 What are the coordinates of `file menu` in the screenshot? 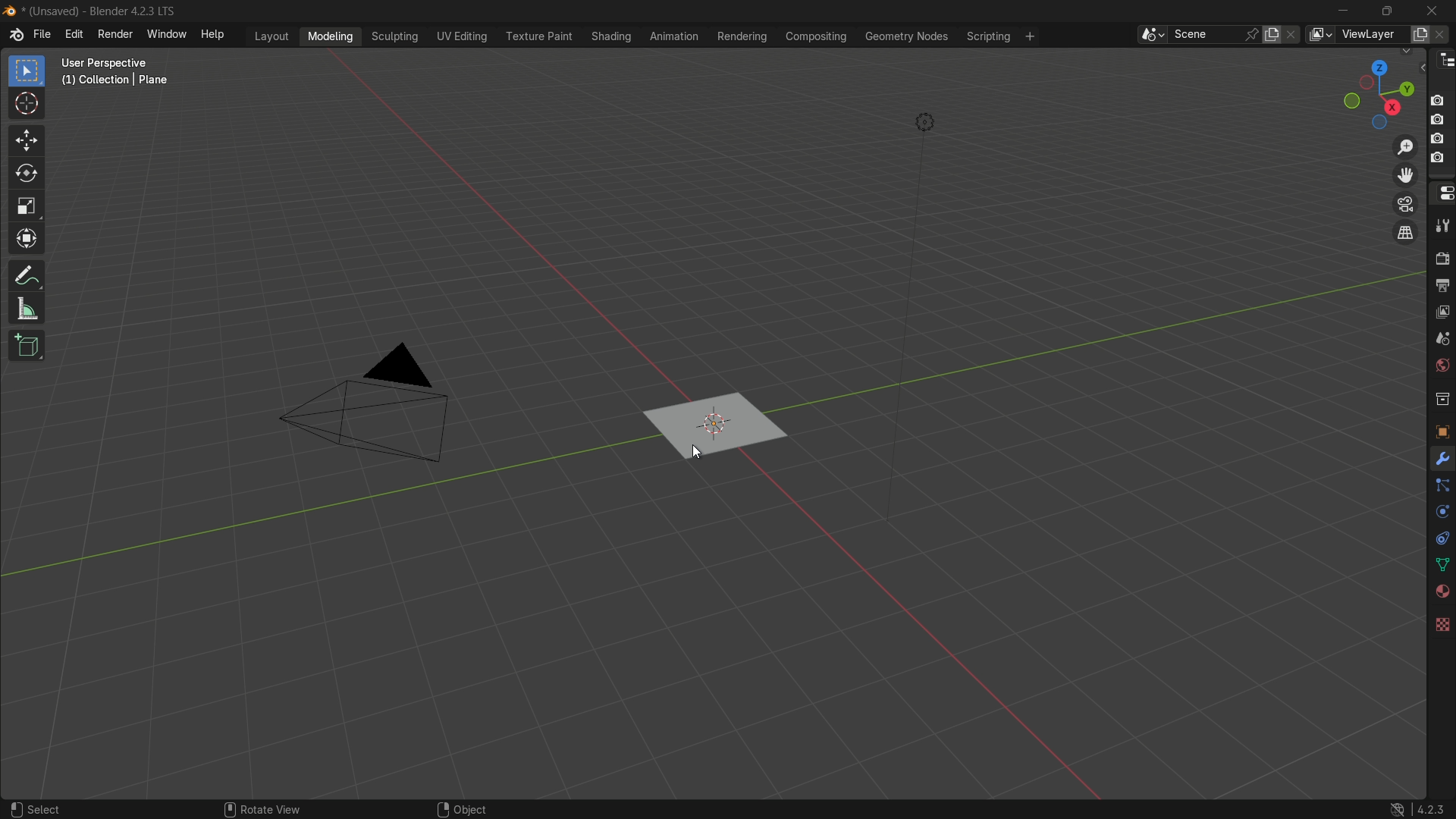 It's located at (42, 35).